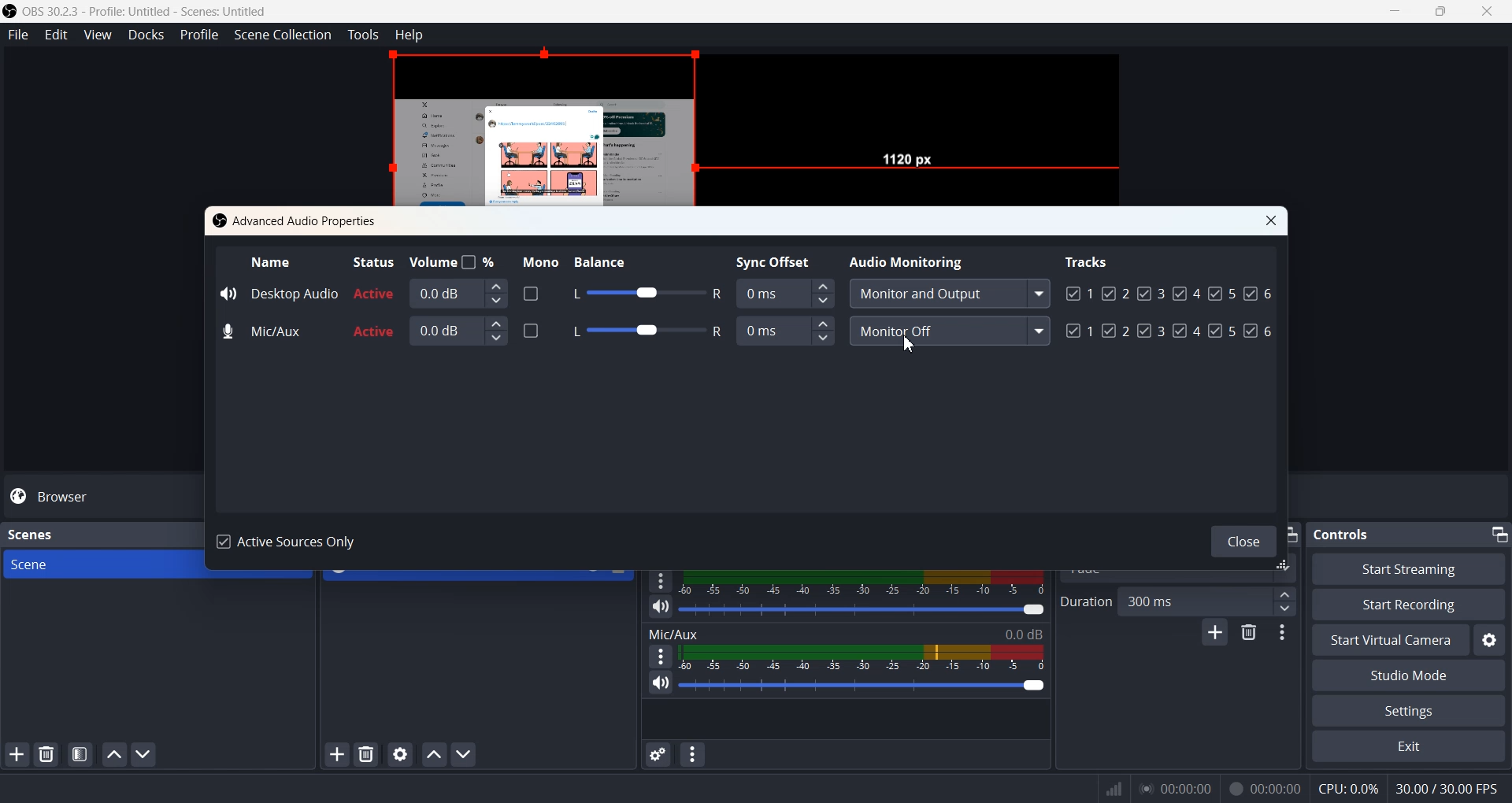 This screenshot has height=803, width=1512. I want to click on Remove configurable transistion, so click(1251, 634).